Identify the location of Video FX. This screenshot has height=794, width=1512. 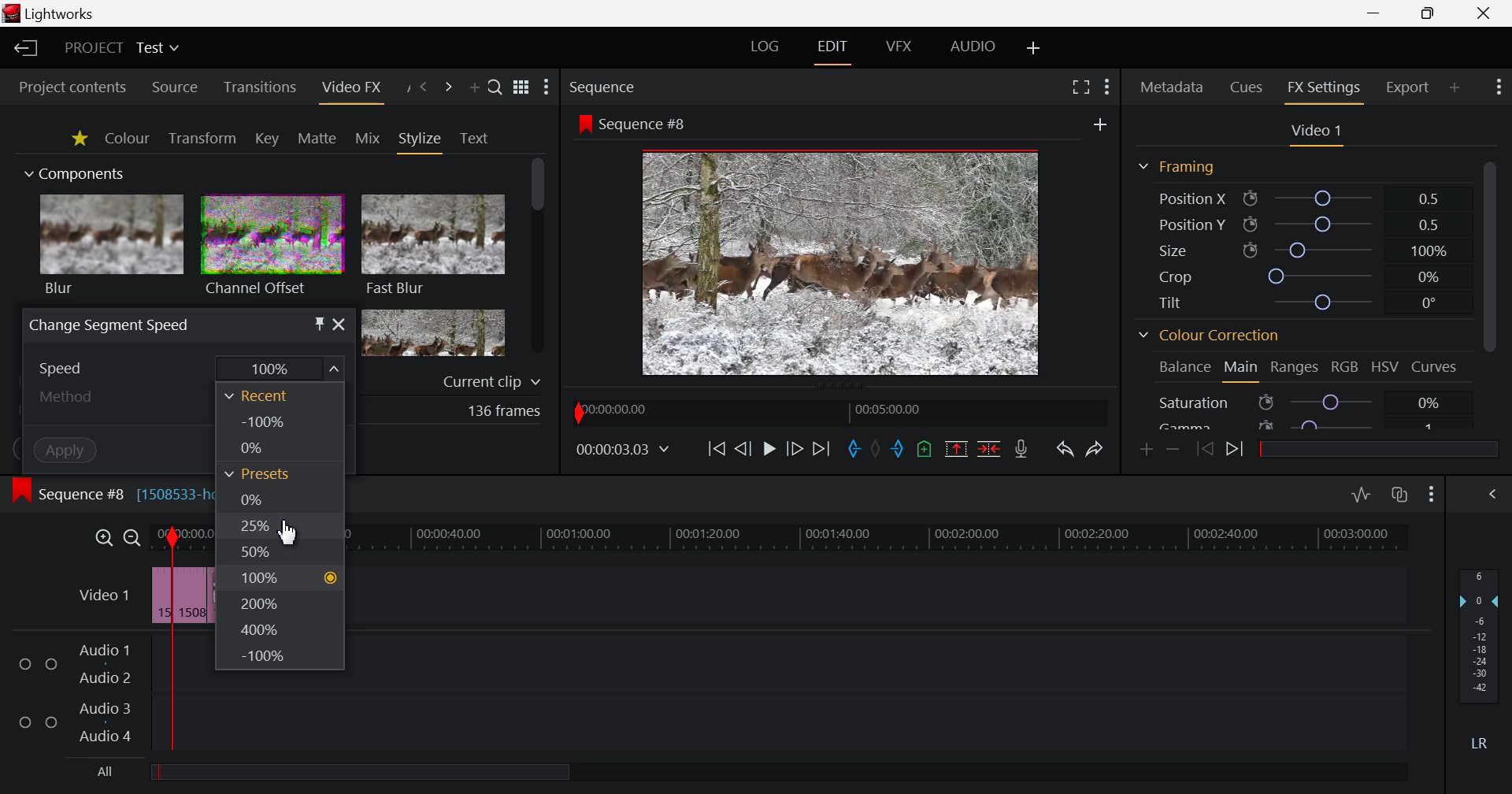
(350, 88).